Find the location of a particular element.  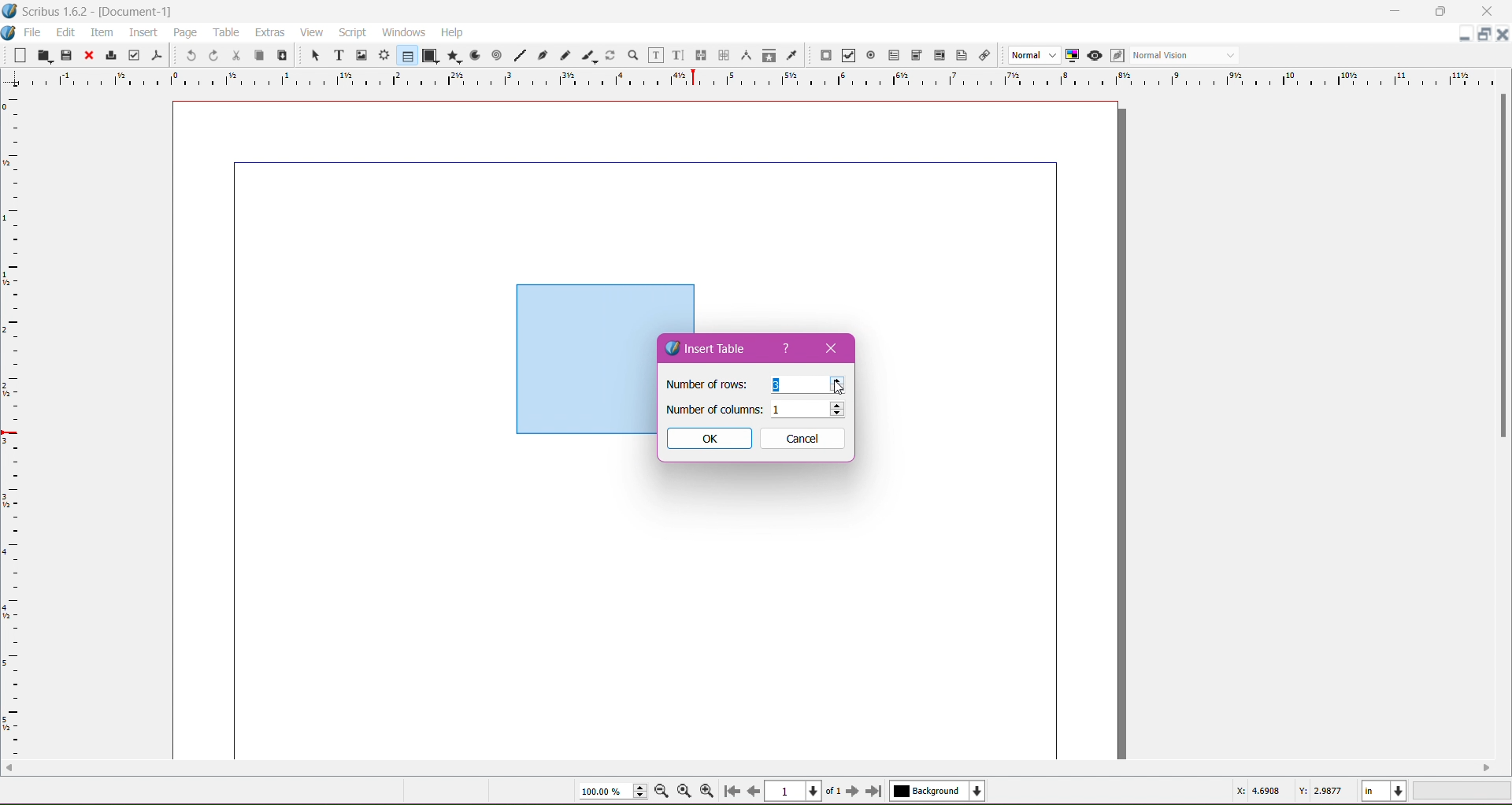

Zoom in or out is located at coordinates (628, 54).